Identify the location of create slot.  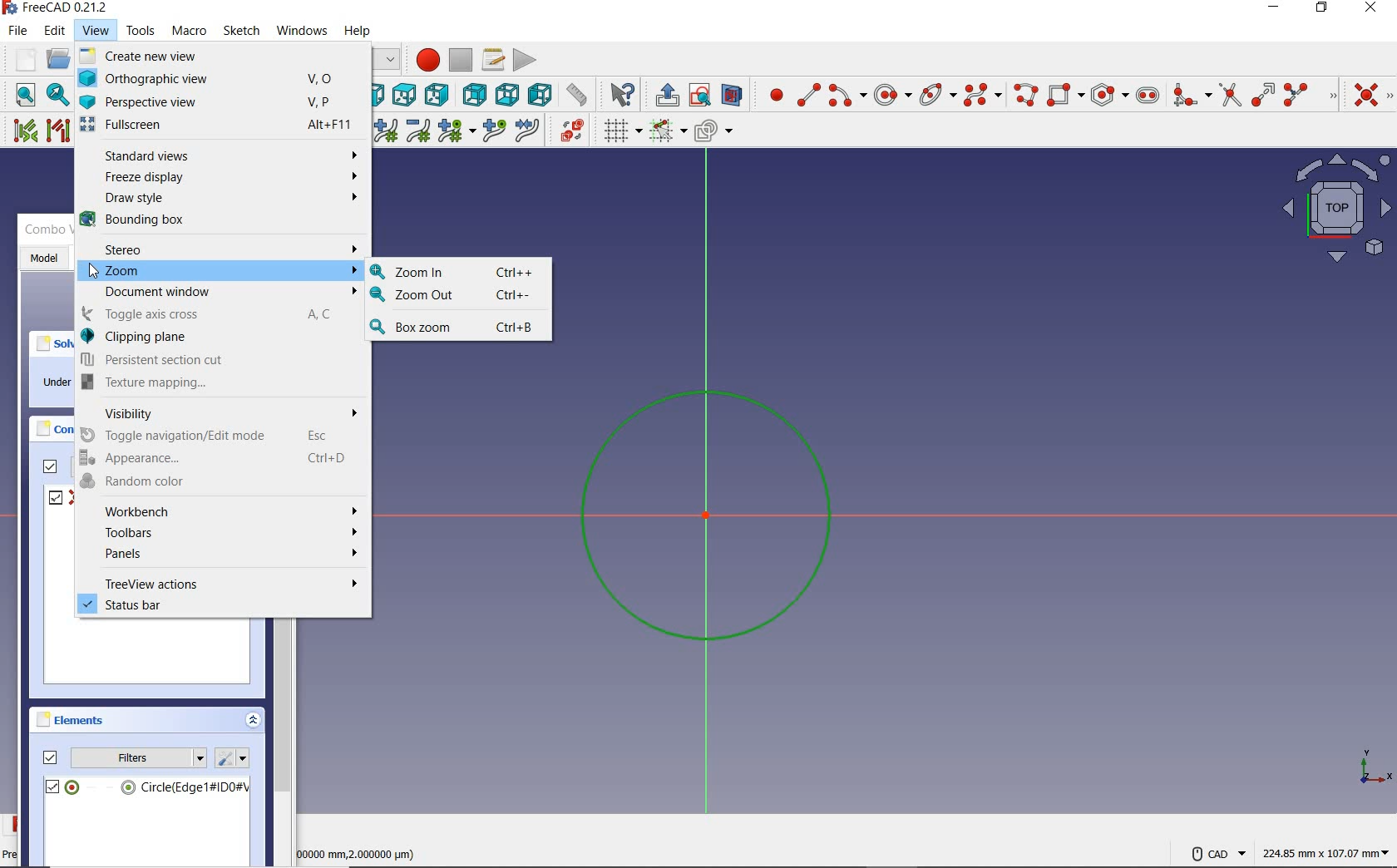
(1148, 95).